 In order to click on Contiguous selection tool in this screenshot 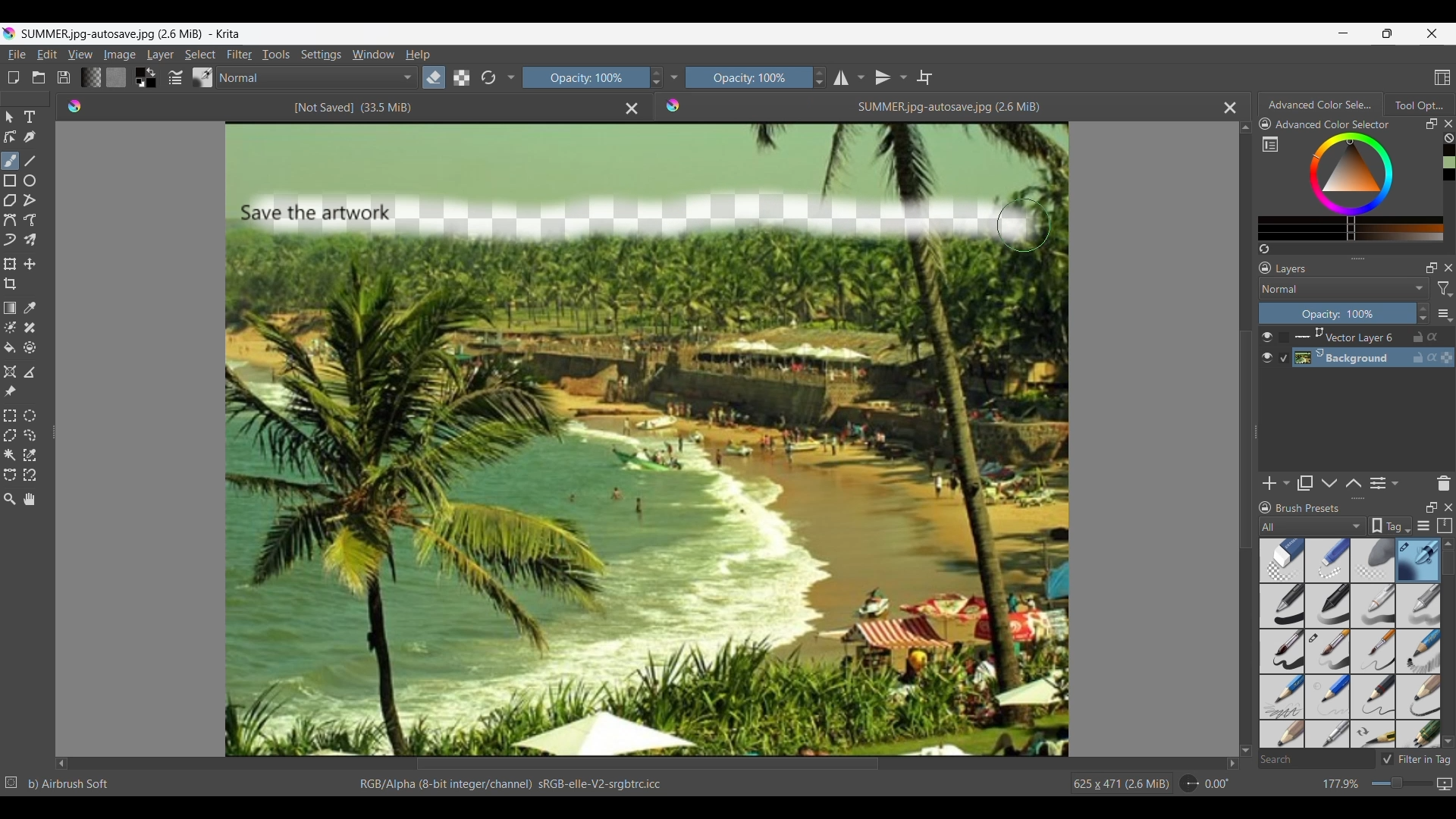, I will do `click(10, 456)`.